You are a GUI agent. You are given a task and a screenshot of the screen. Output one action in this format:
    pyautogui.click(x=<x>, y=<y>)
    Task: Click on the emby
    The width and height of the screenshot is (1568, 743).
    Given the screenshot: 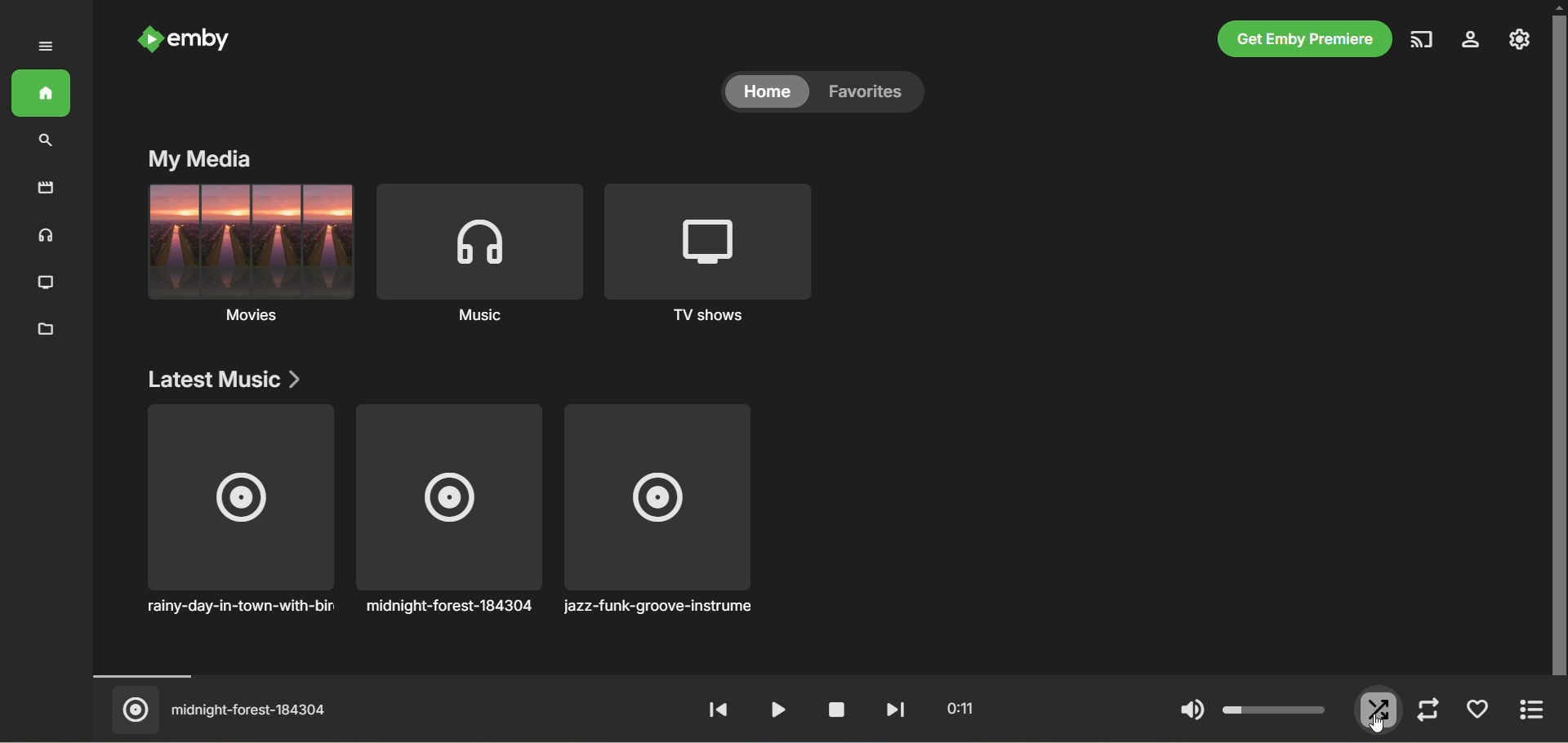 What is the action you would take?
    pyautogui.click(x=185, y=42)
    